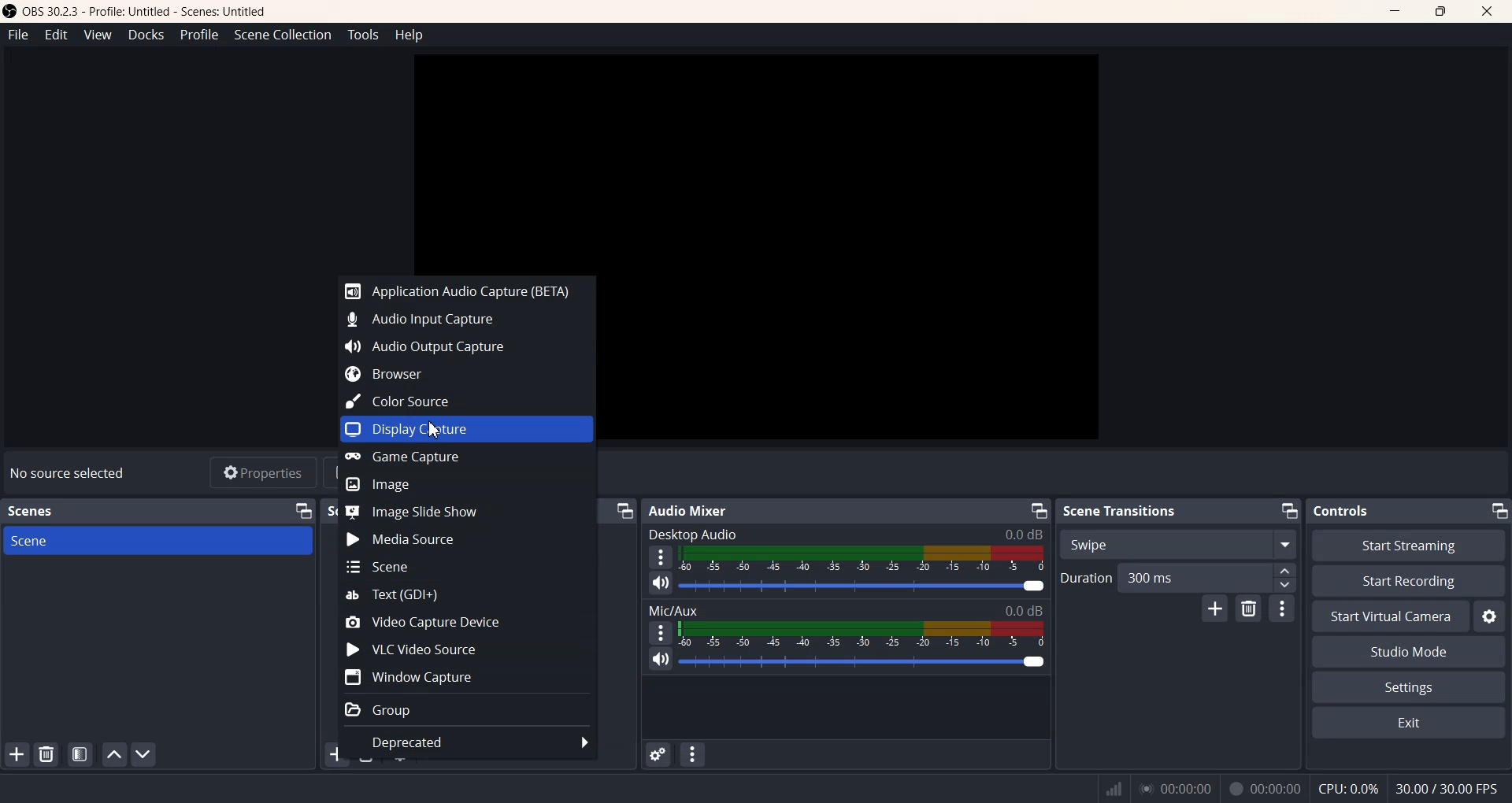  What do you see at coordinates (623, 512) in the screenshot?
I see `Minimize` at bounding box center [623, 512].